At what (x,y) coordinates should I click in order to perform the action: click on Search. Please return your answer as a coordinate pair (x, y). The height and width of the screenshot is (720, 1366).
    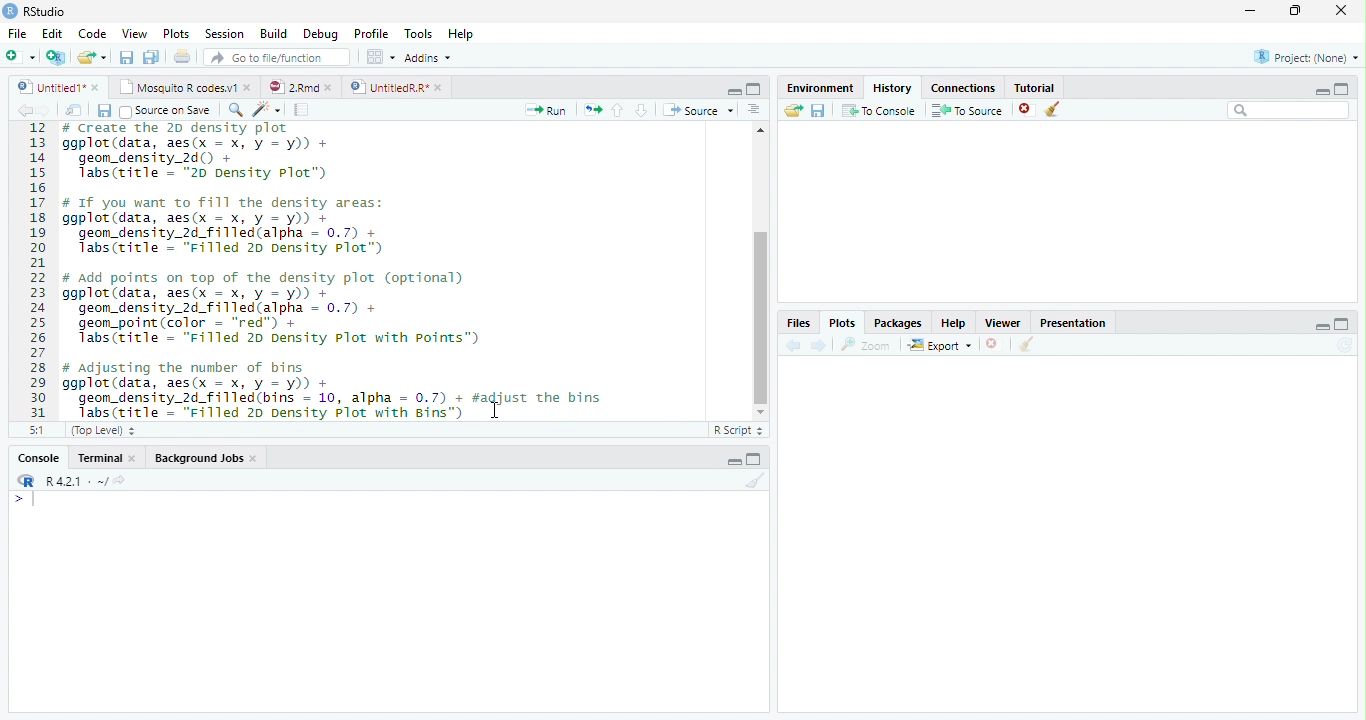
    Looking at the image, I should click on (1289, 110).